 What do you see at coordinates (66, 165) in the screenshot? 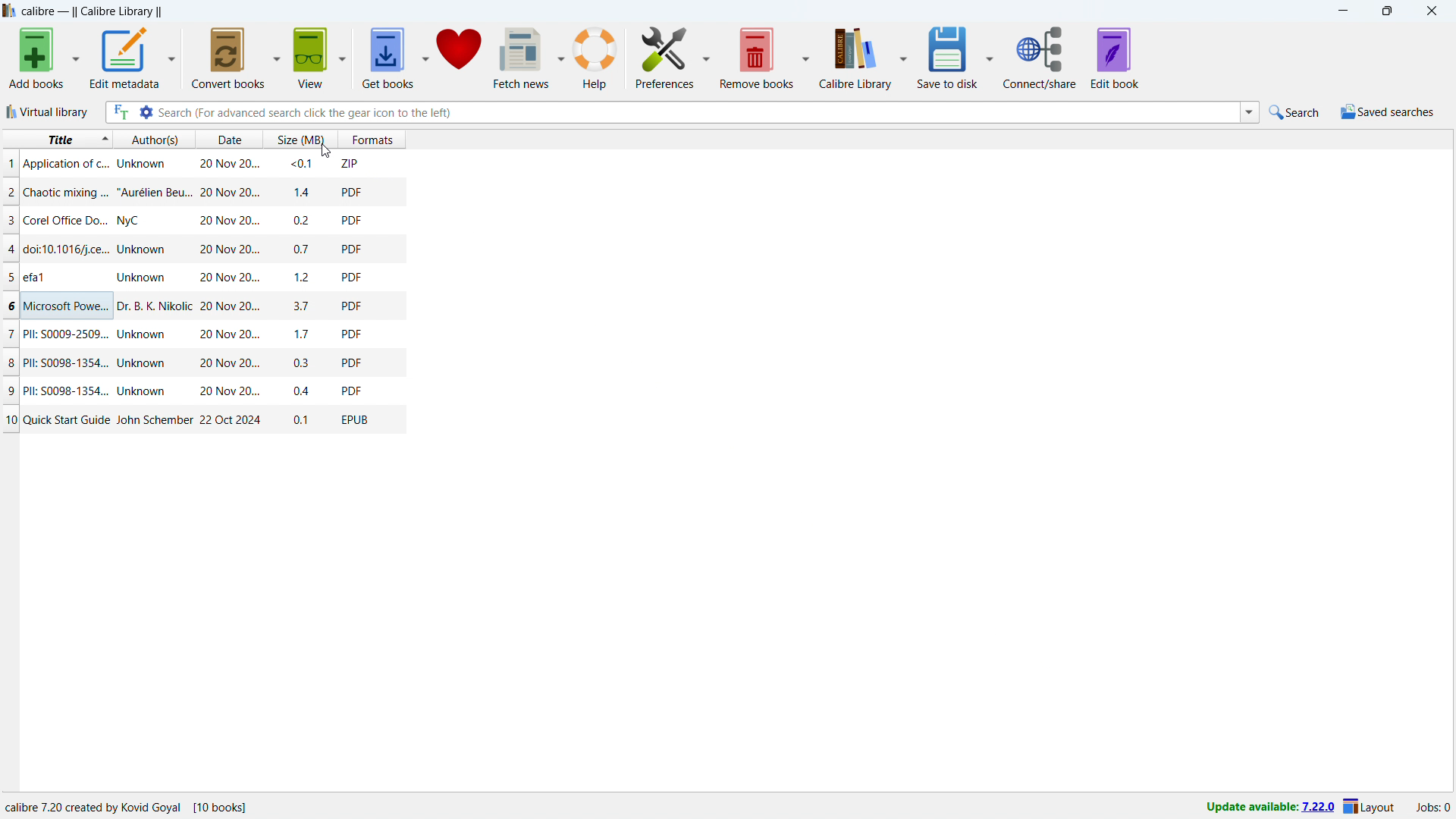
I see `title` at bounding box center [66, 165].